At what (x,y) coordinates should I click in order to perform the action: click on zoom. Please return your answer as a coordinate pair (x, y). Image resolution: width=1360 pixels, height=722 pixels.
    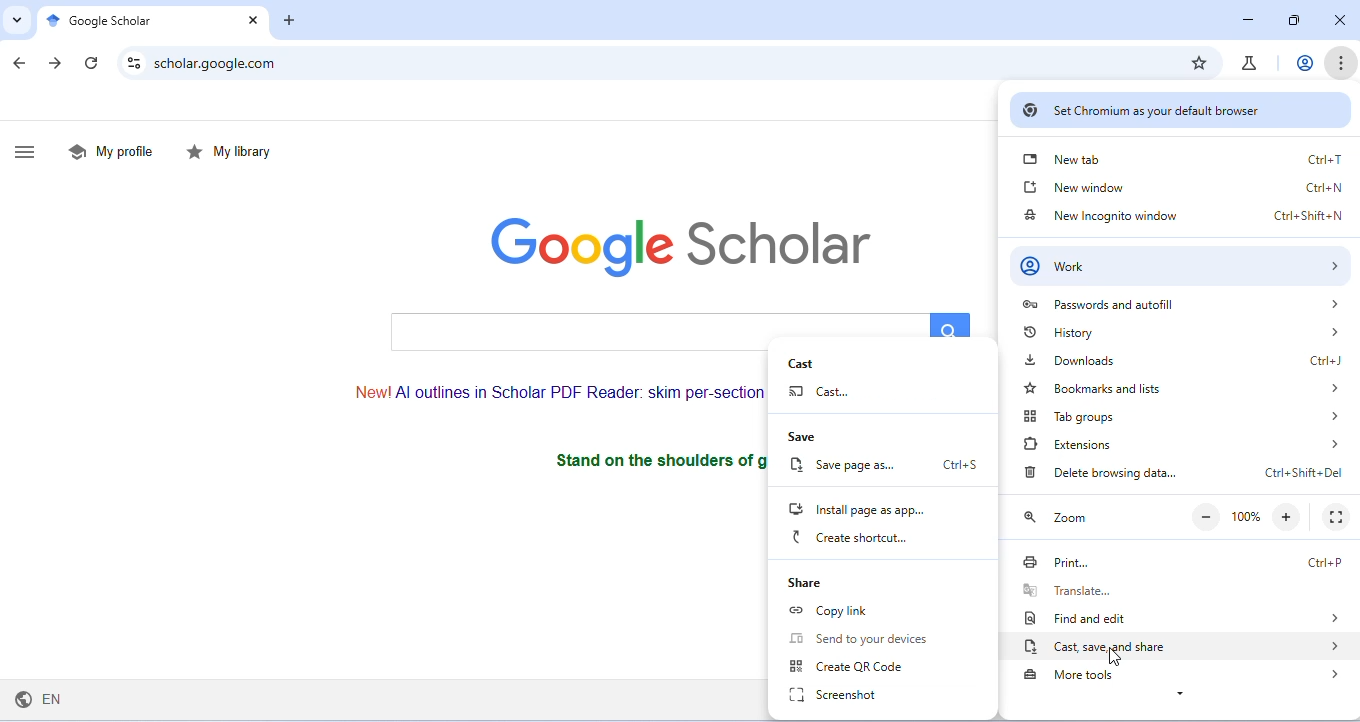
    Looking at the image, I should click on (1064, 517).